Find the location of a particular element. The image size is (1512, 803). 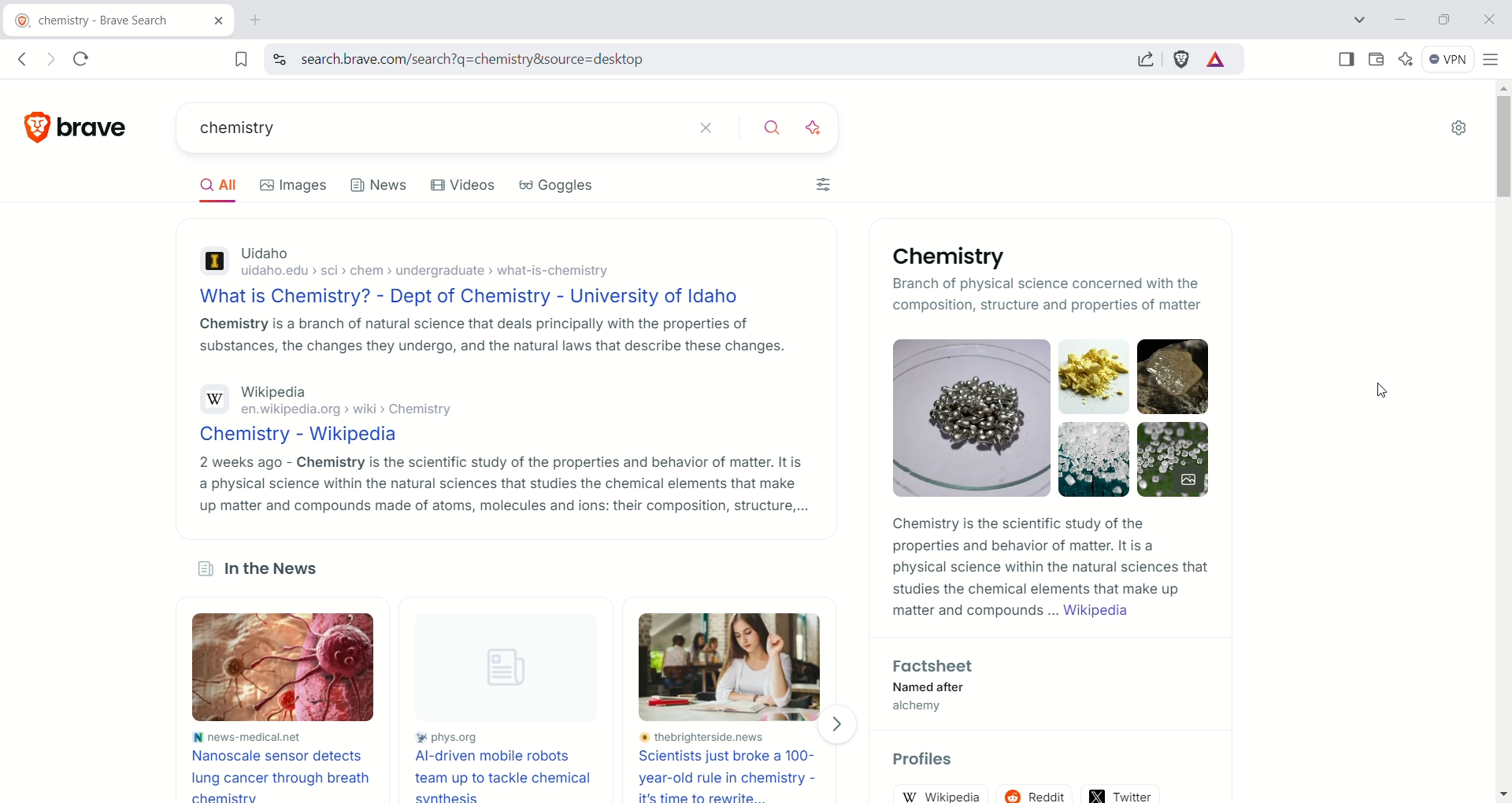

view site information is located at coordinates (279, 59).